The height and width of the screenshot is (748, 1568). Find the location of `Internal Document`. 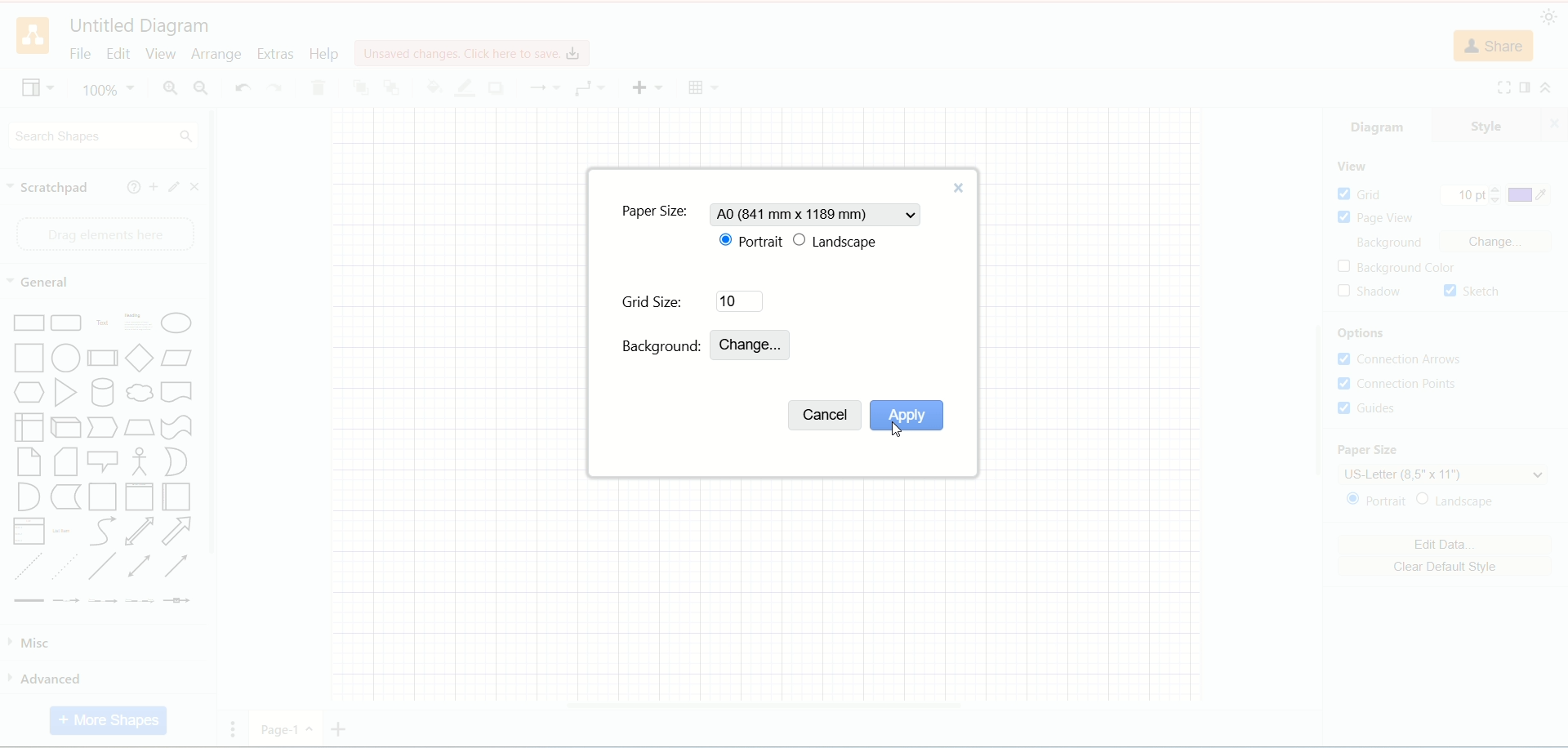

Internal Document is located at coordinates (29, 426).